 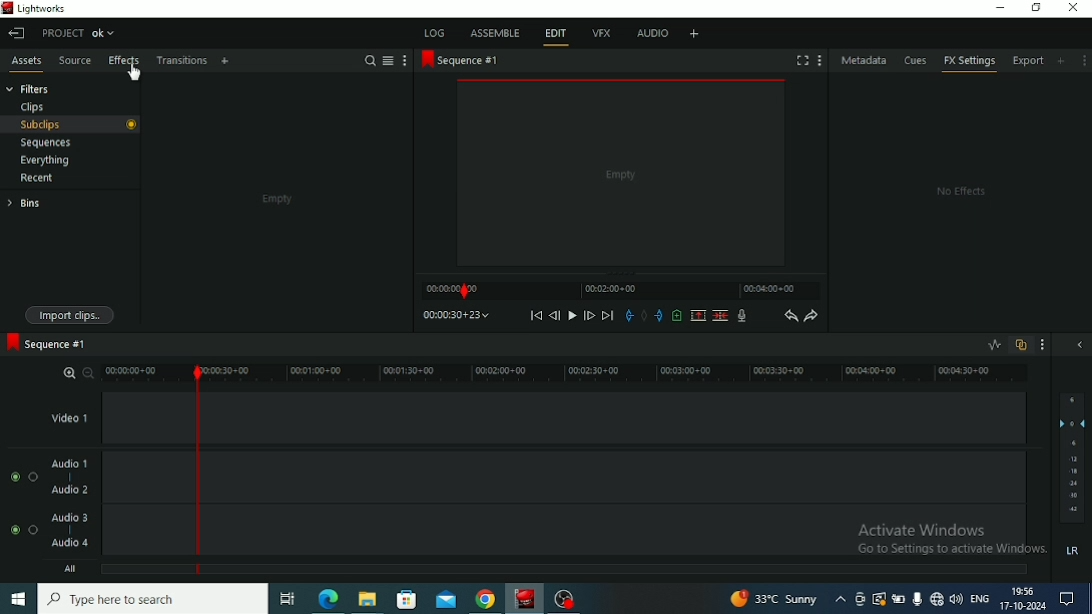 What do you see at coordinates (601, 35) in the screenshot?
I see `VFX` at bounding box center [601, 35].